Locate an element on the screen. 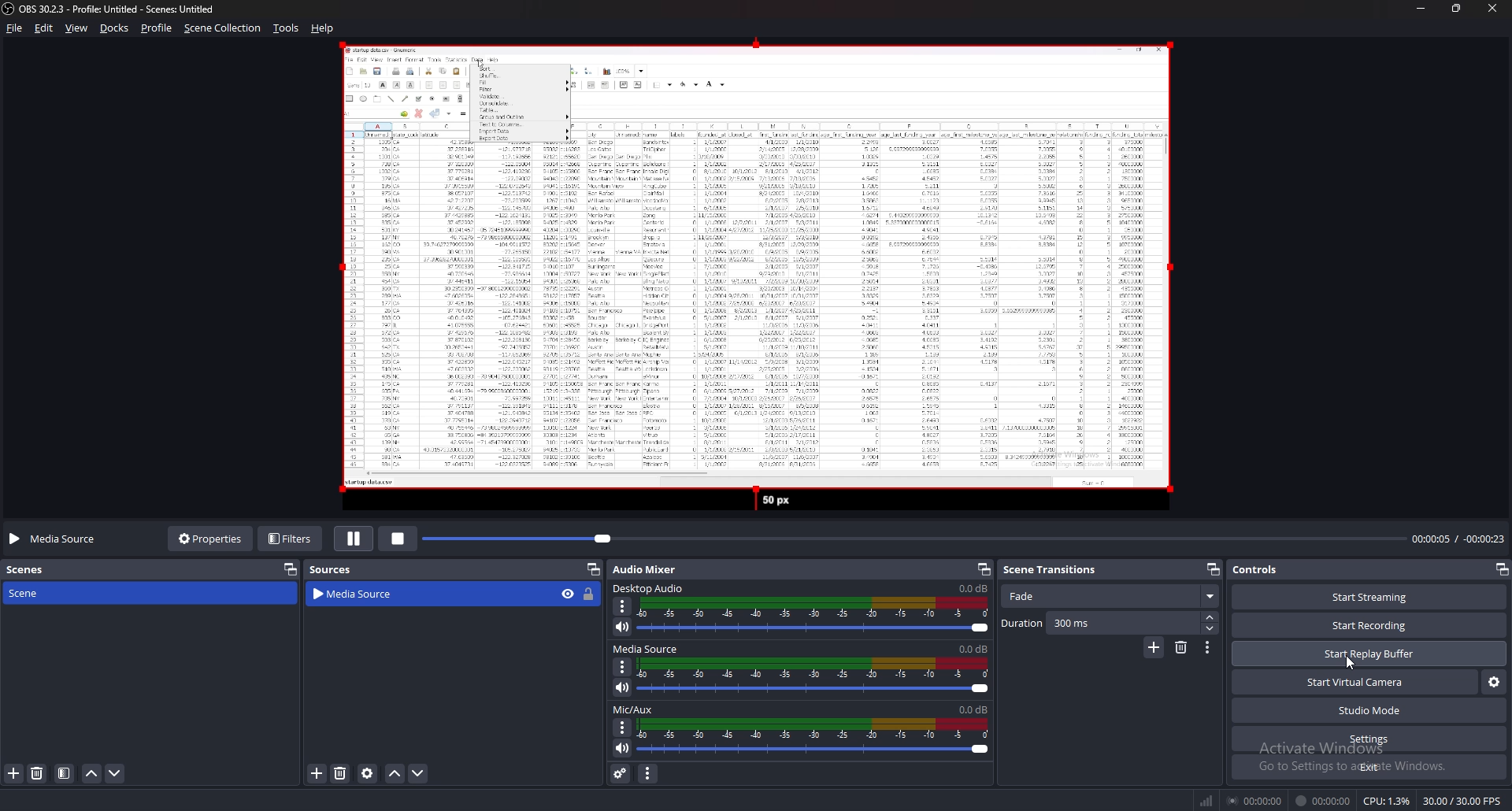 The width and height of the screenshot is (1512, 811). configure virtual camera is located at coordinates (1493, 682).